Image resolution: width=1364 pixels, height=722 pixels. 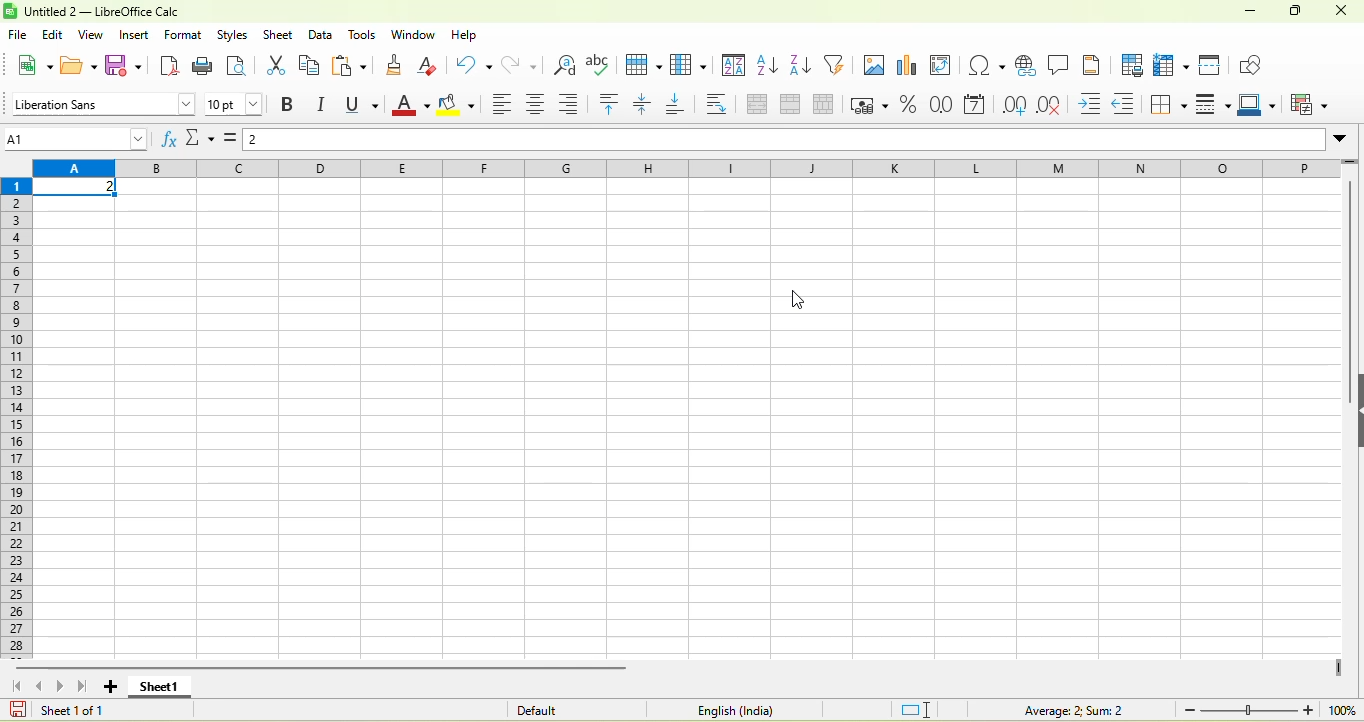 I want to click on scroll to previous sheet, so click(x=41, y=687).